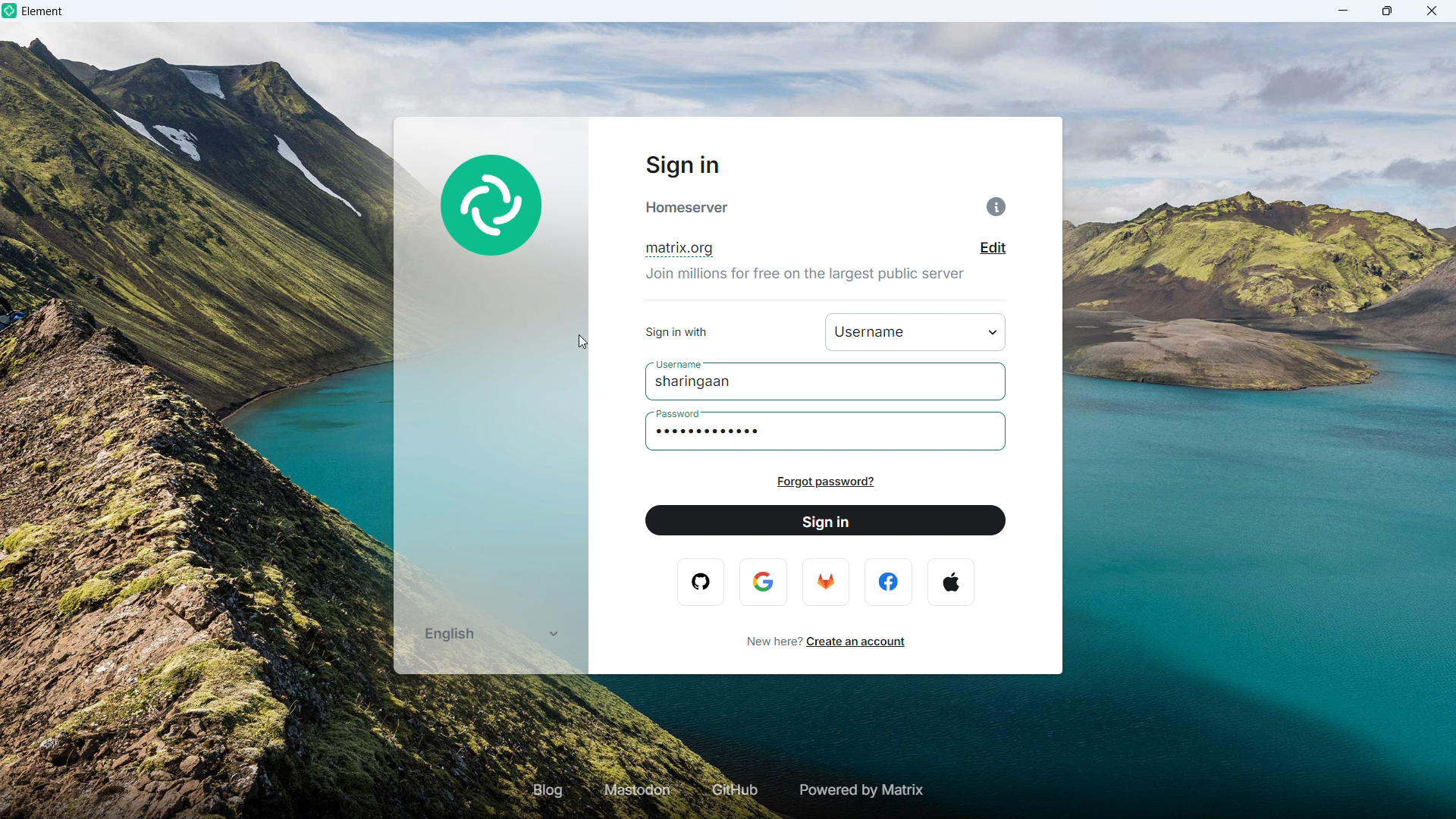 This screenshot has height=819, width=1456. I want to click on google logo, so click(765, 582).